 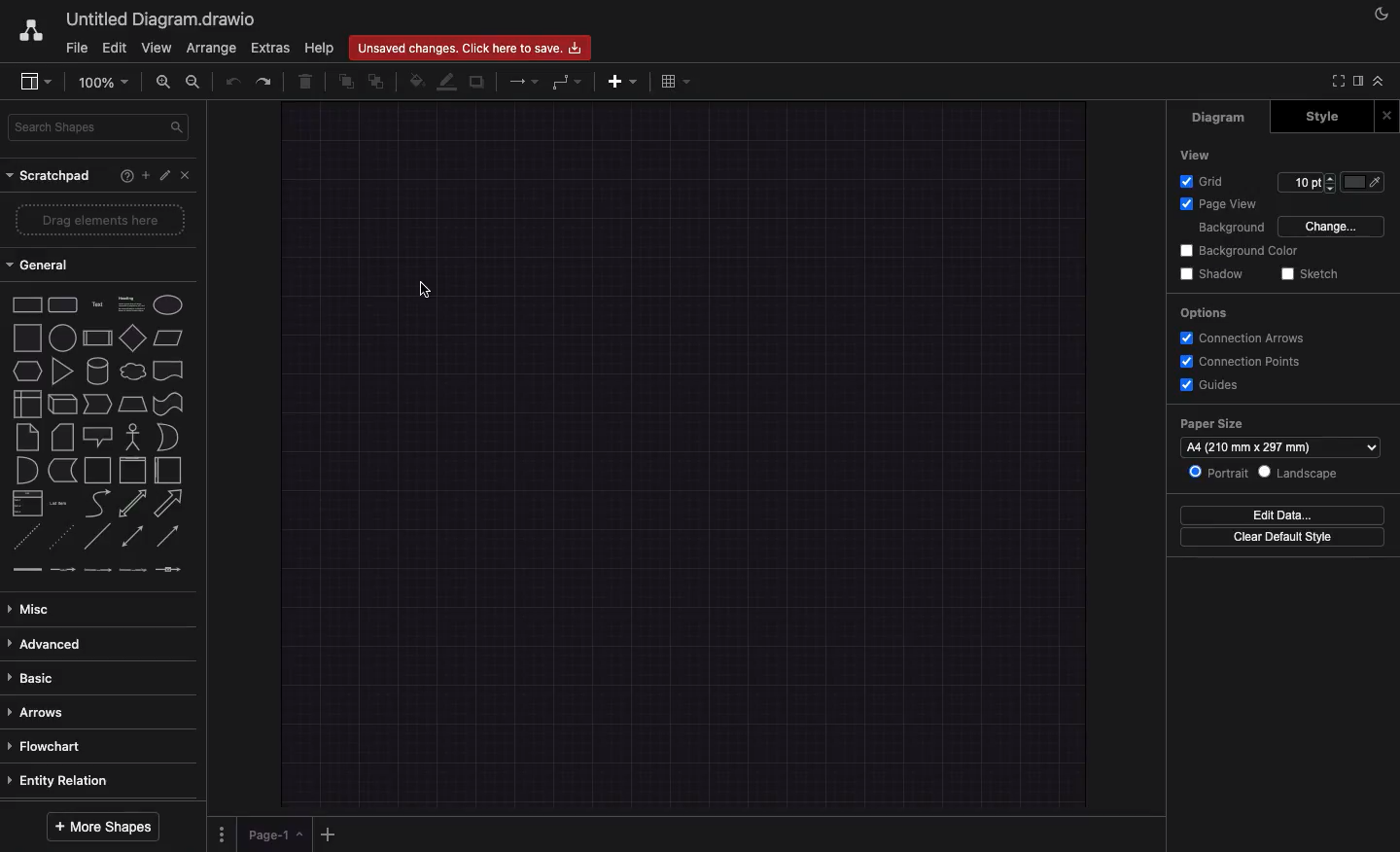 I want to click on Flowchart, so click(x=50, y=745).